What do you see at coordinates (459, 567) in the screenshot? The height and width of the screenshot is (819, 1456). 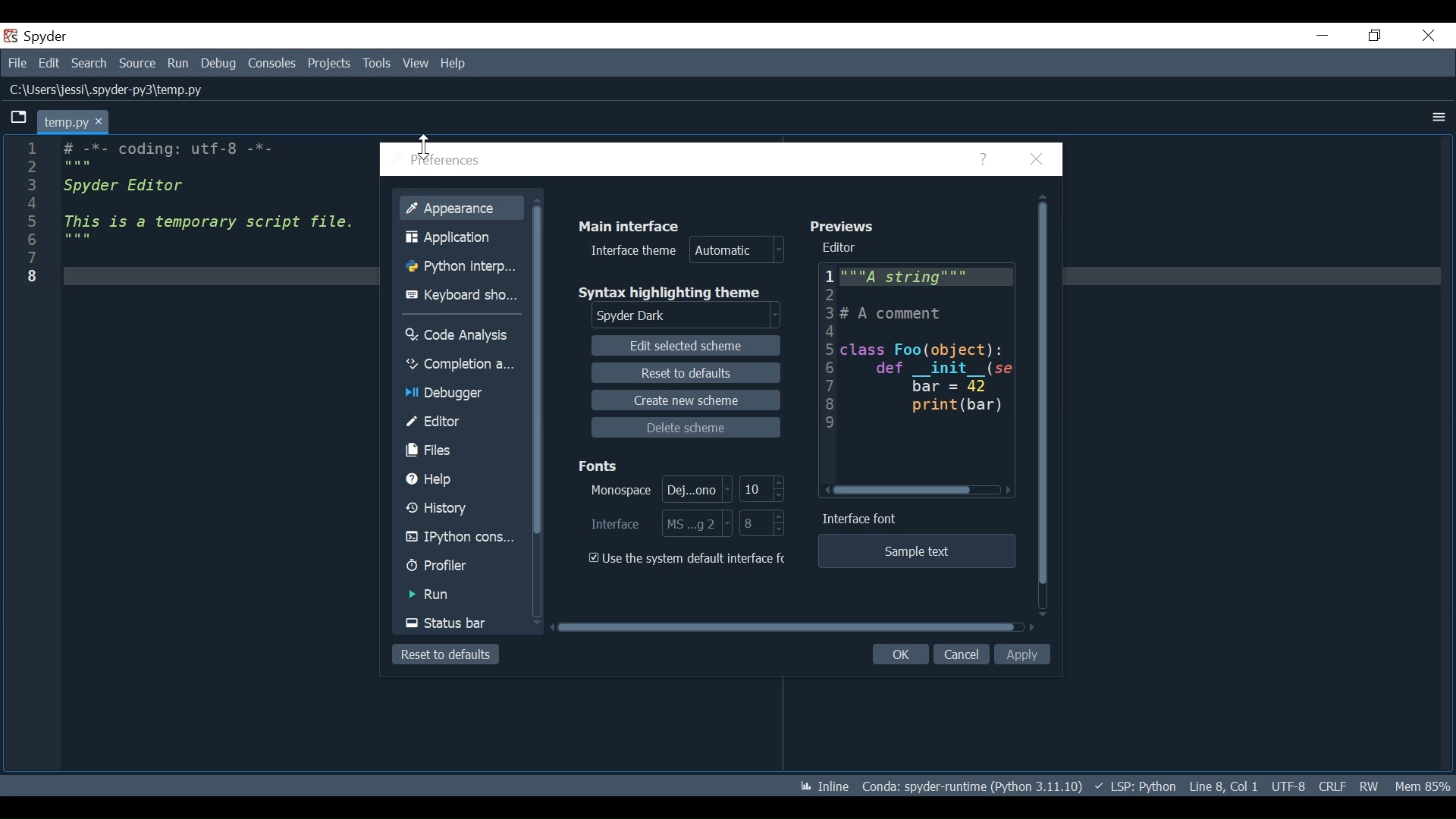 I see `Profiler` at bounding box center [459, 567].